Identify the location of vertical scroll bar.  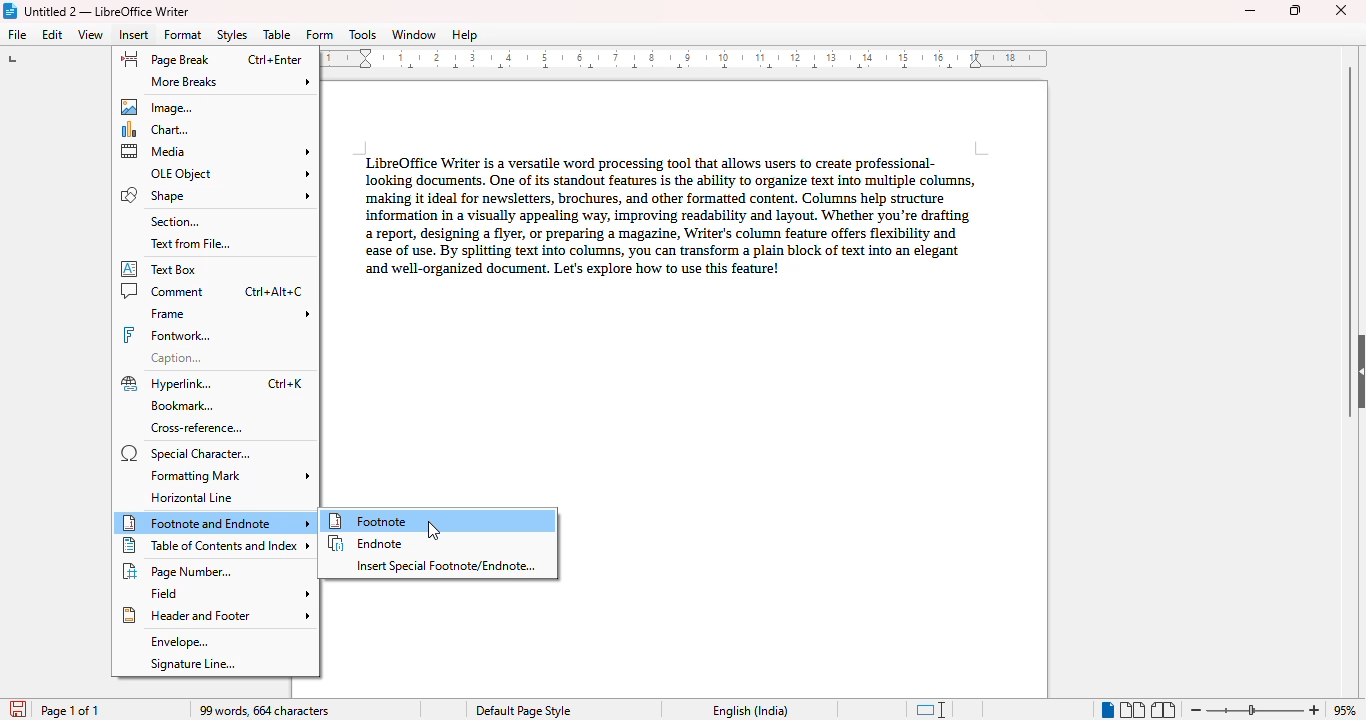
(1351, 242).